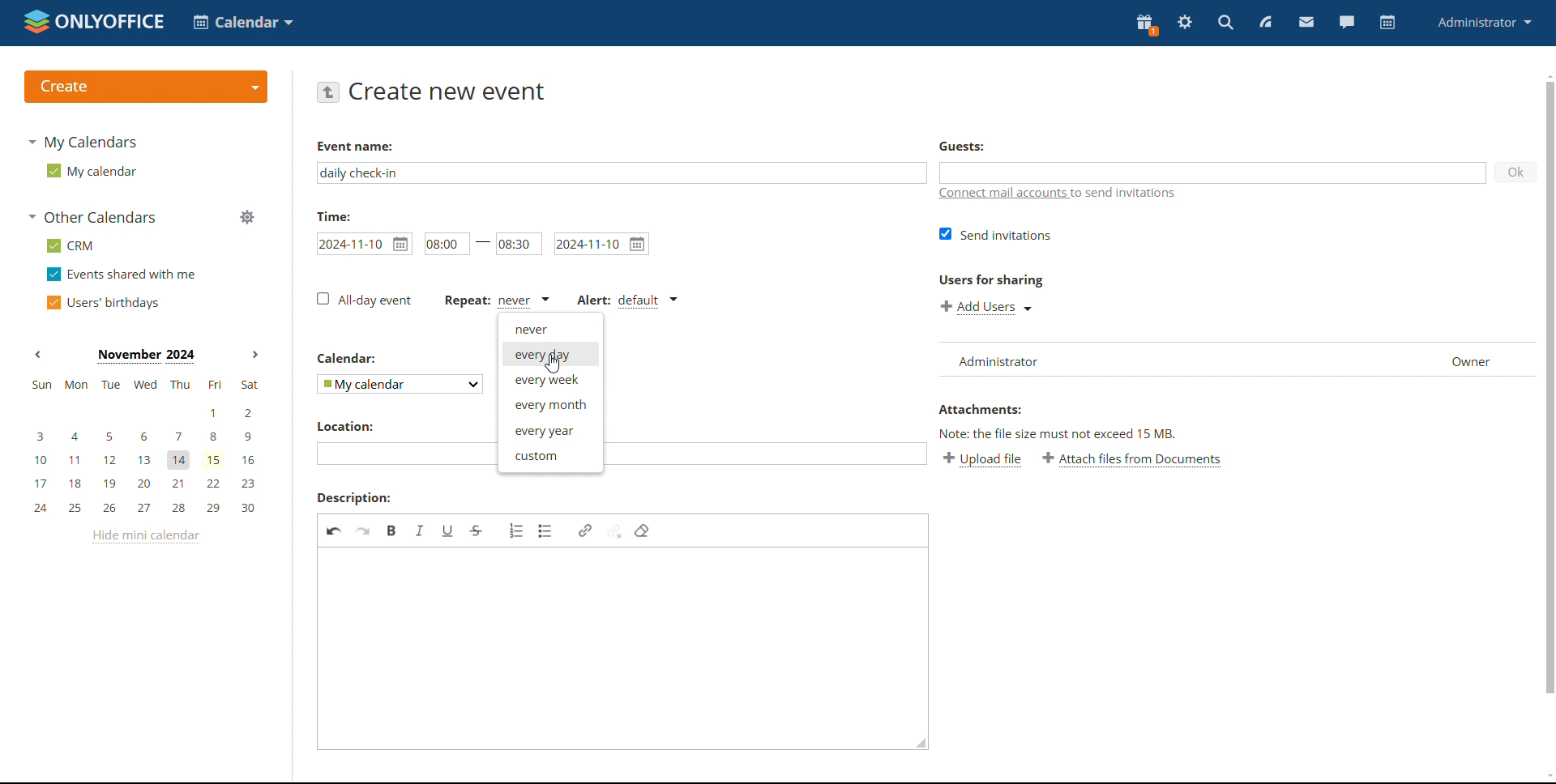 The image size is (1556, 784). I want to click on unlink, so click(614, 530).